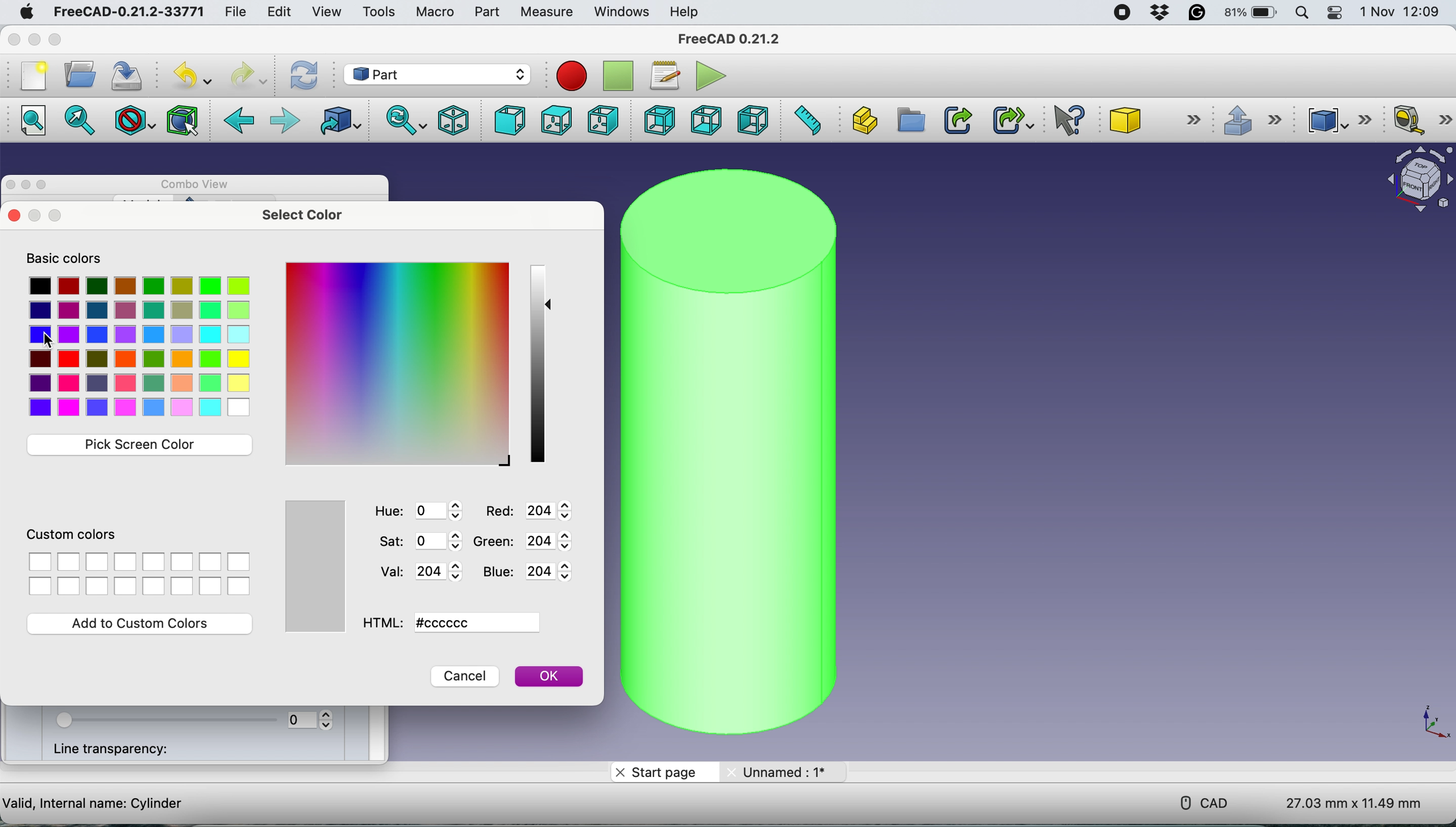 The image size is (1456, 827). What do you see at coordinates (489, 14) in the screenshot?
I see `part` at bounding box center [489, 14].